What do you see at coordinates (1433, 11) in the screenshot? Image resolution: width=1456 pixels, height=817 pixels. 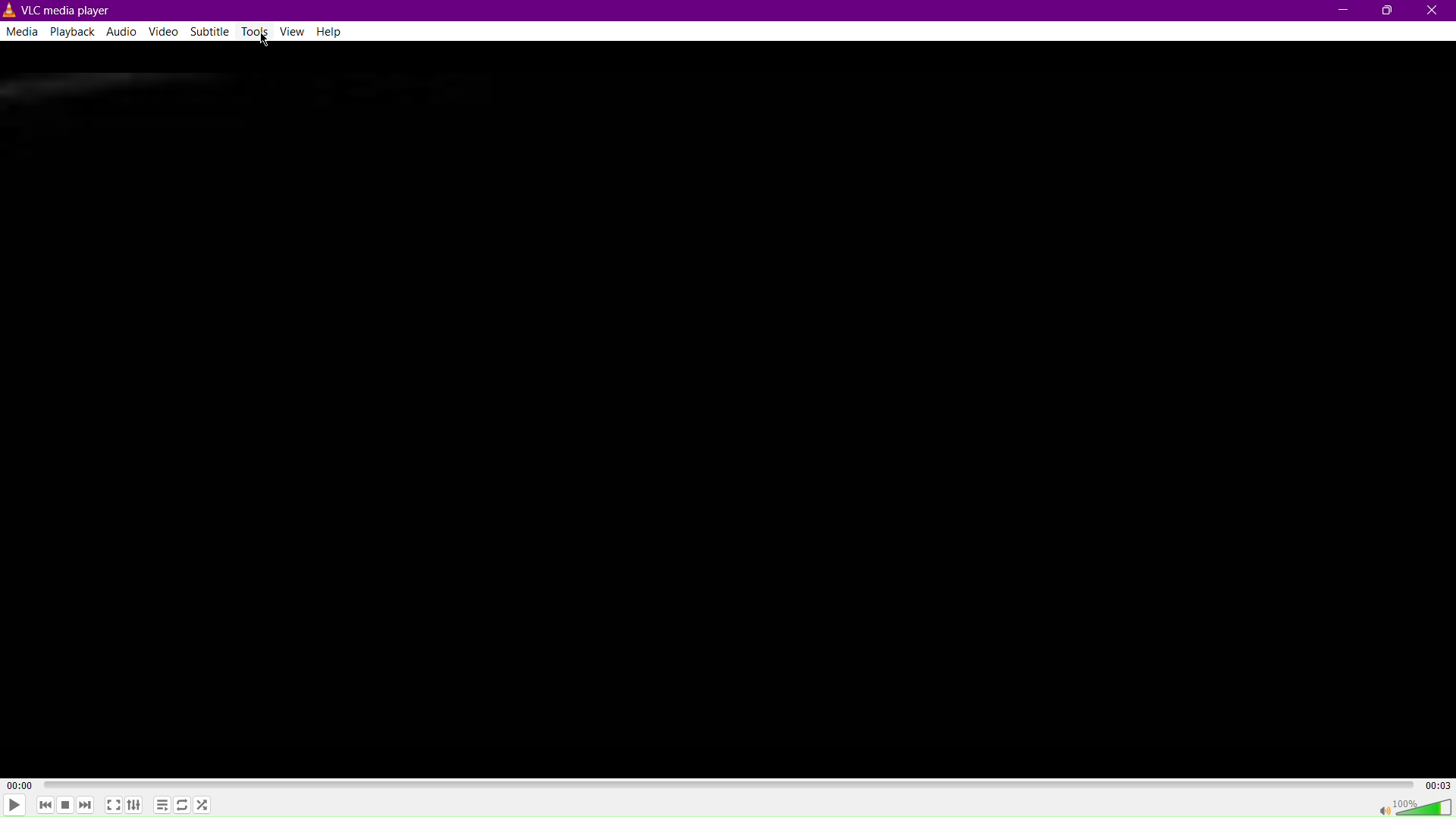 I see `Close` at bounding box center [1433, 11].